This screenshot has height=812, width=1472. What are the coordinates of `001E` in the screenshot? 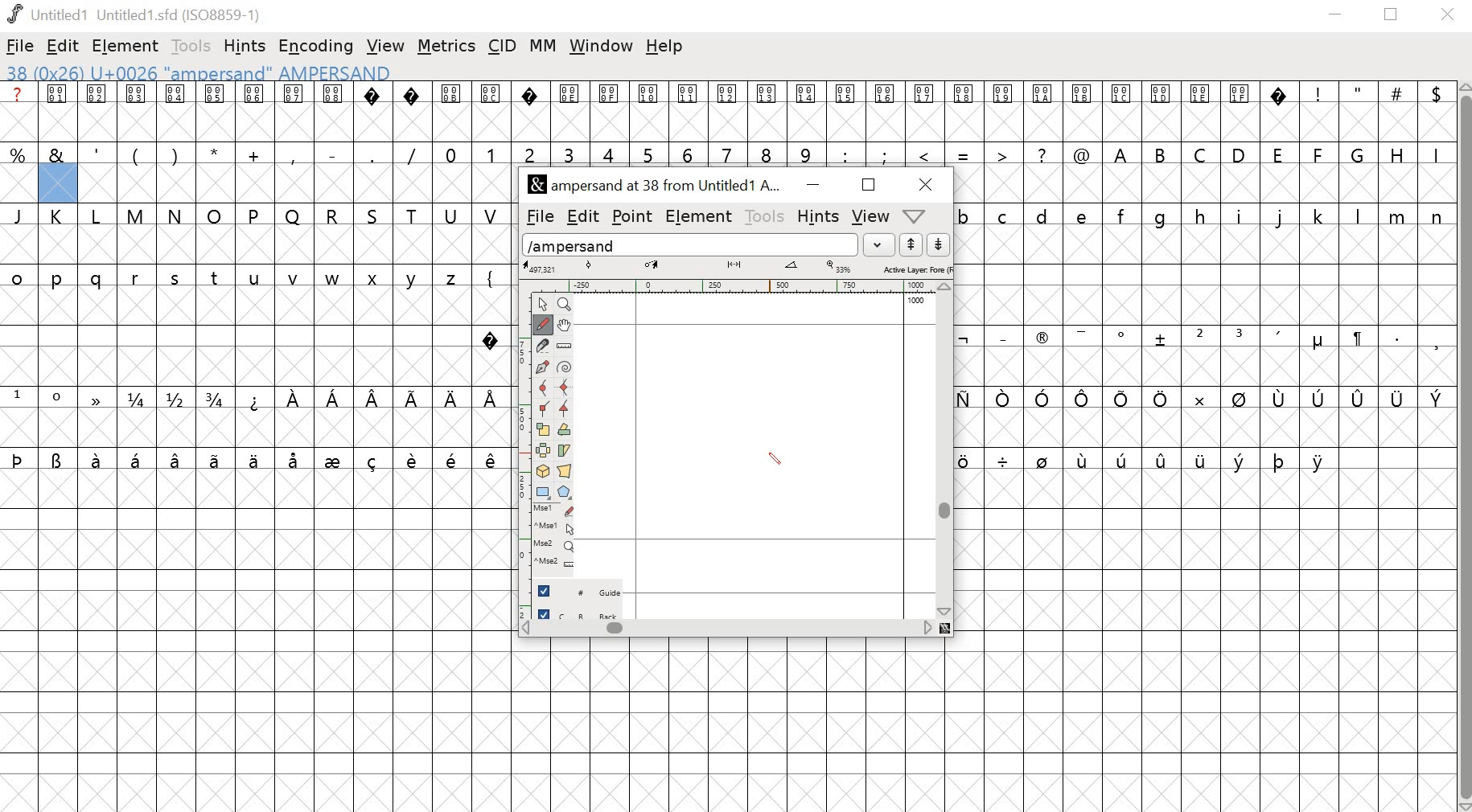 It's located at (1200, 110).